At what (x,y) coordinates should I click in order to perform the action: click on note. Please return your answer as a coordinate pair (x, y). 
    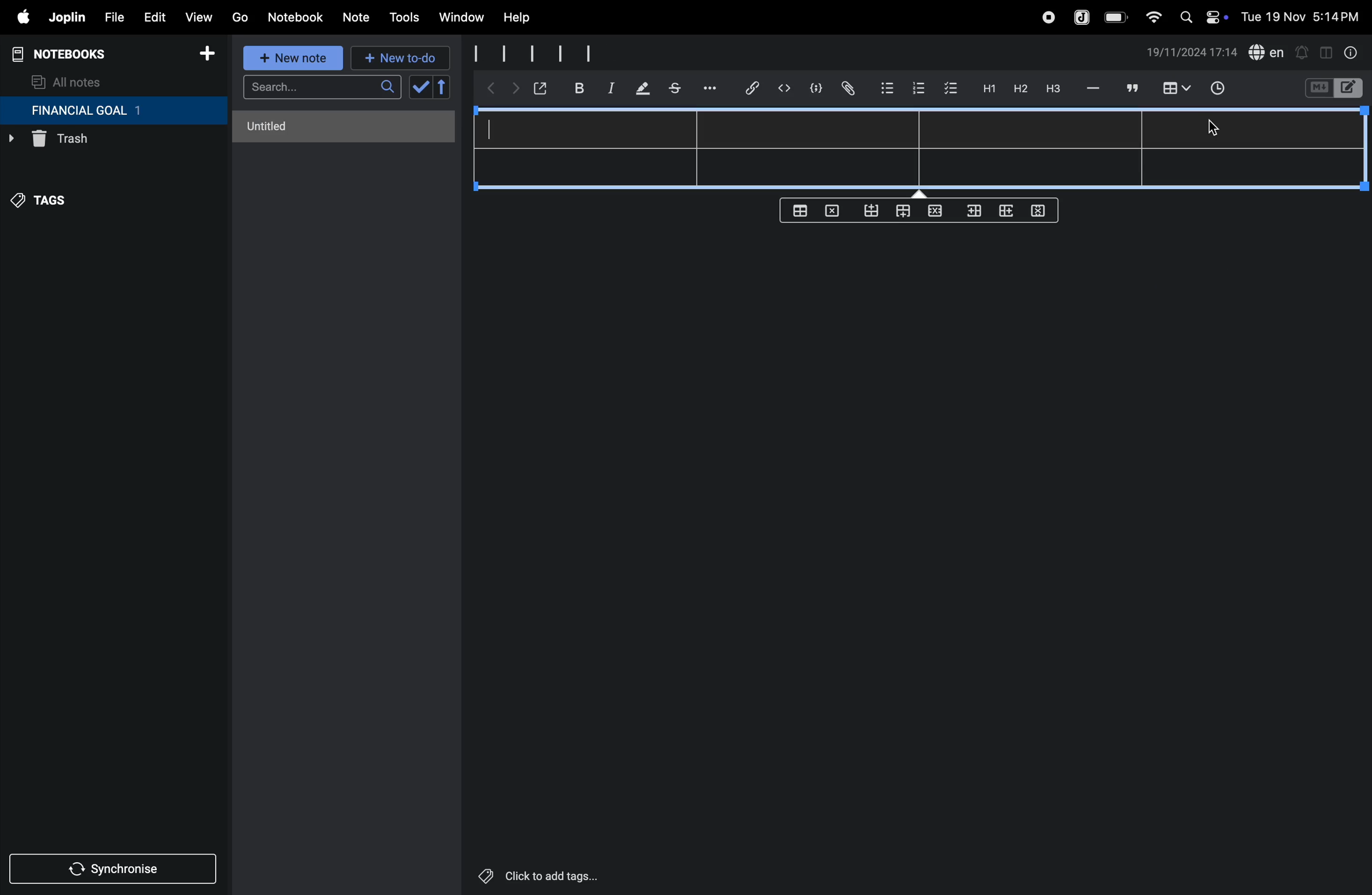
    Looking at the image, I should click on (358, 18).